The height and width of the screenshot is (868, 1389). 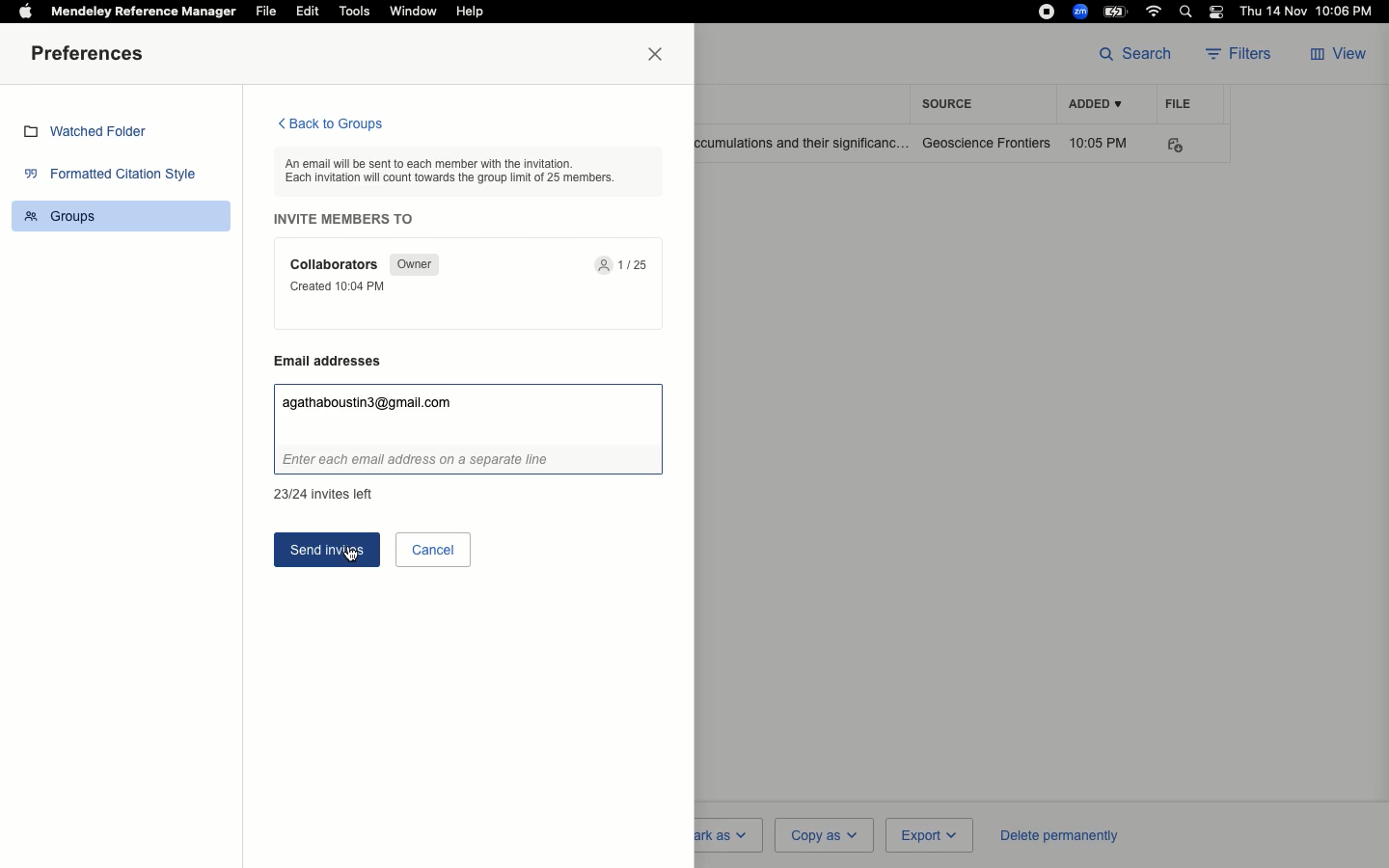 I want to click on cursor, so click(x=352, y=556).